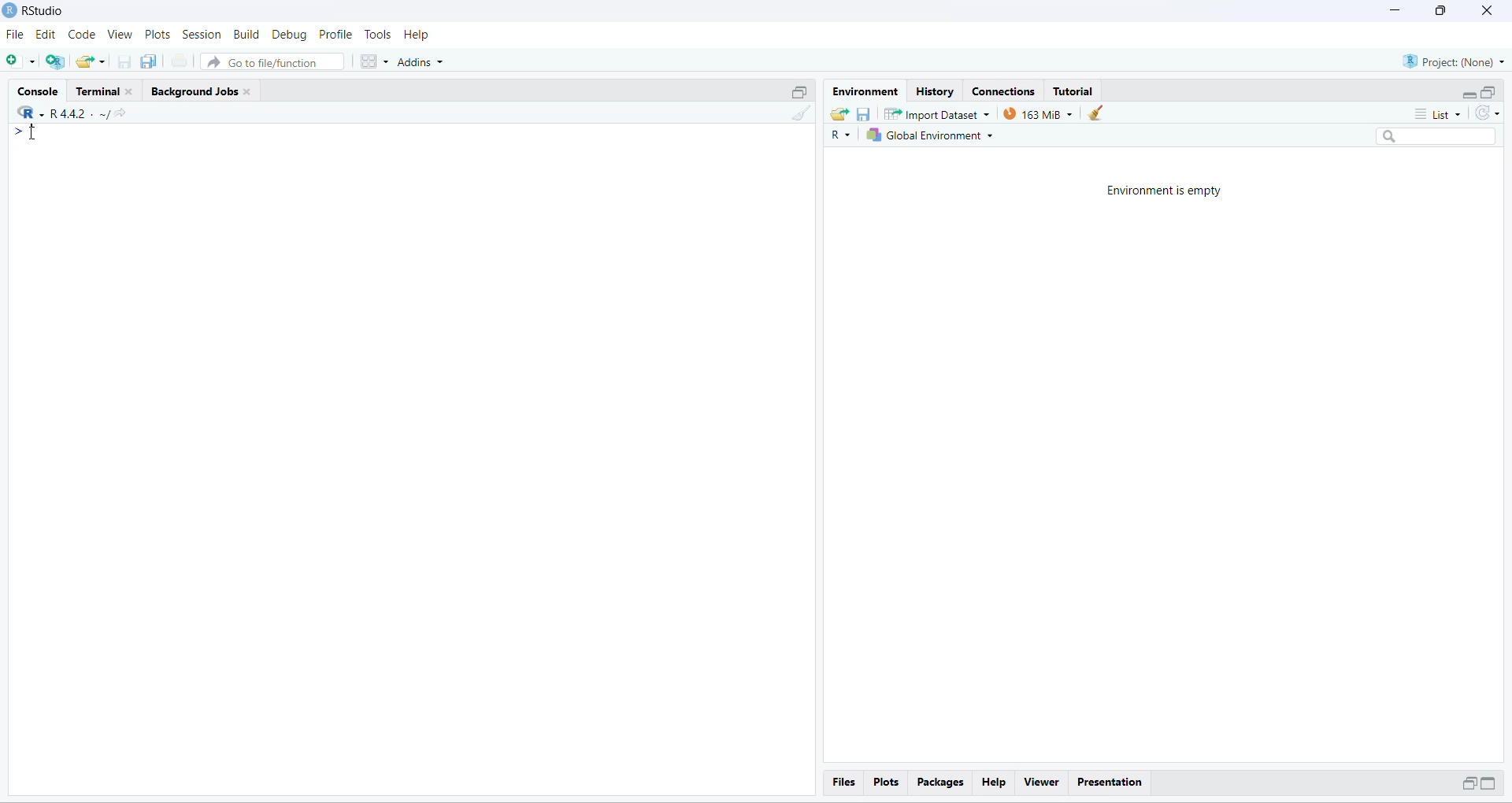 The width and height of the screenshot is (1512, 803). What do you see at coordinates (421, 62) in the screenshot?
I see `Addins` at bounding box center [421, 62].